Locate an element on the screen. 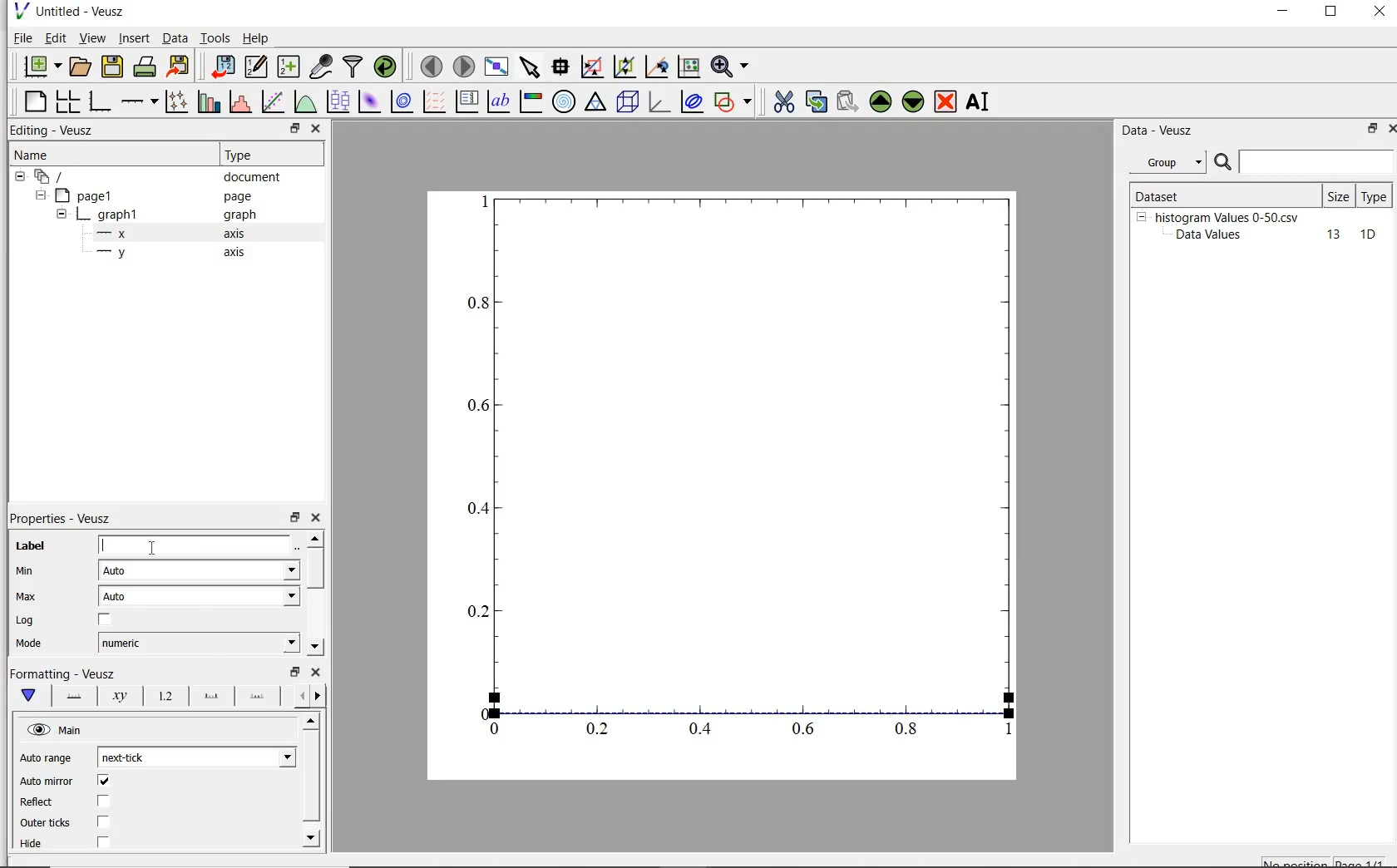  base graph is located at coordinates (101, 101).